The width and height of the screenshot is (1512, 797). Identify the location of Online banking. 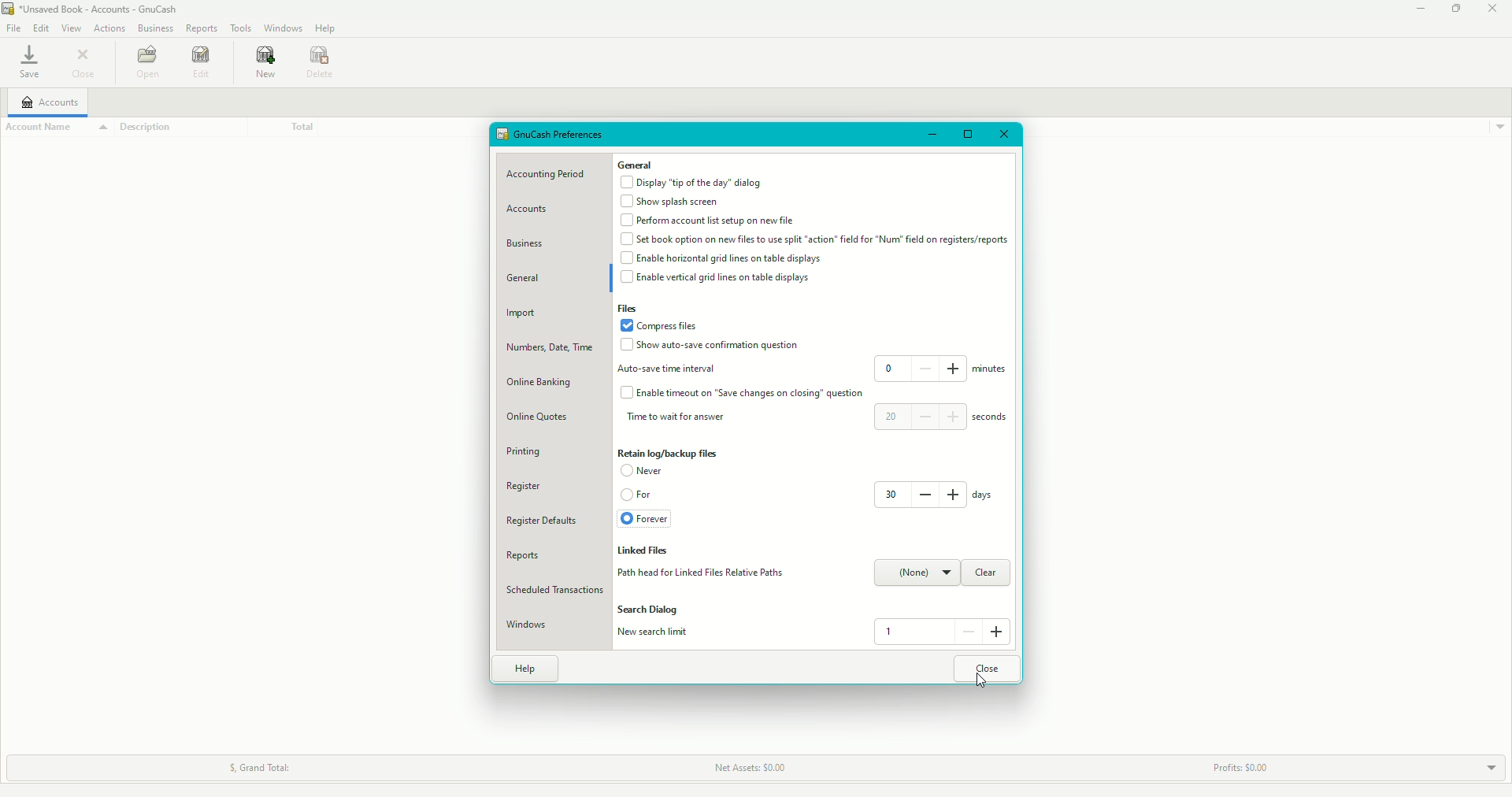
(541, 383).